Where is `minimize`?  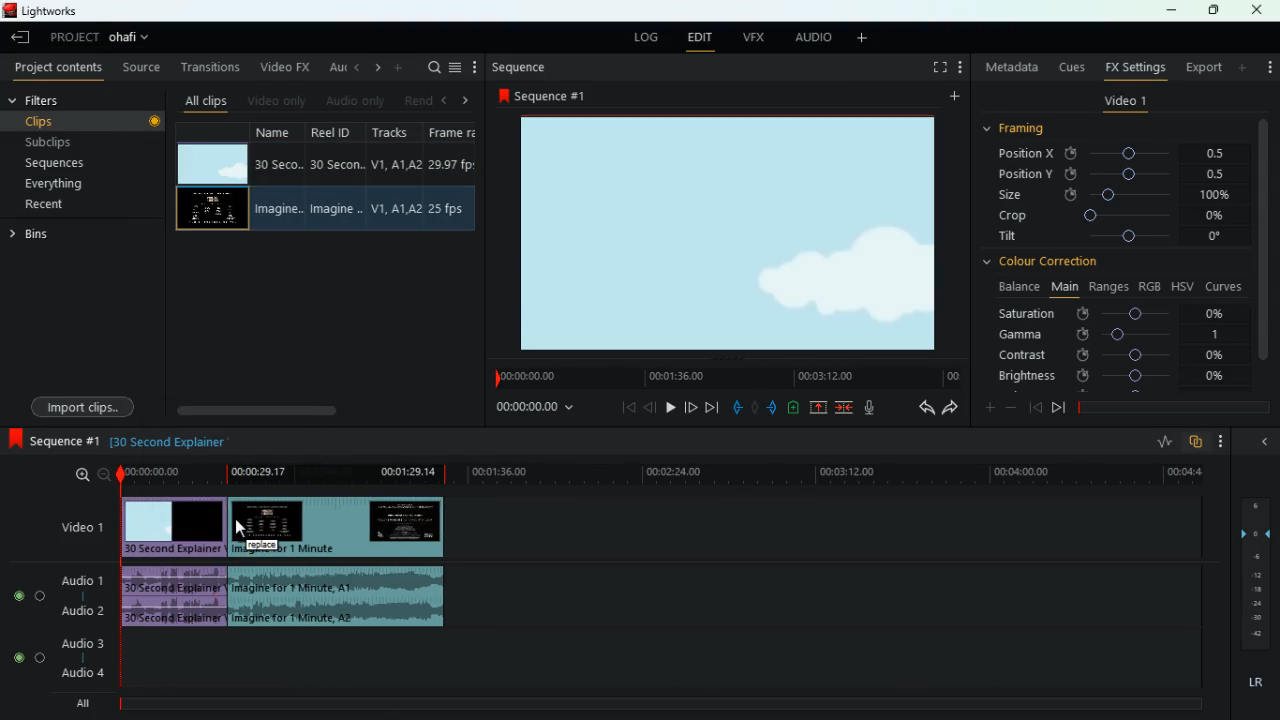 minimize is located at coordinates (1171, 12).